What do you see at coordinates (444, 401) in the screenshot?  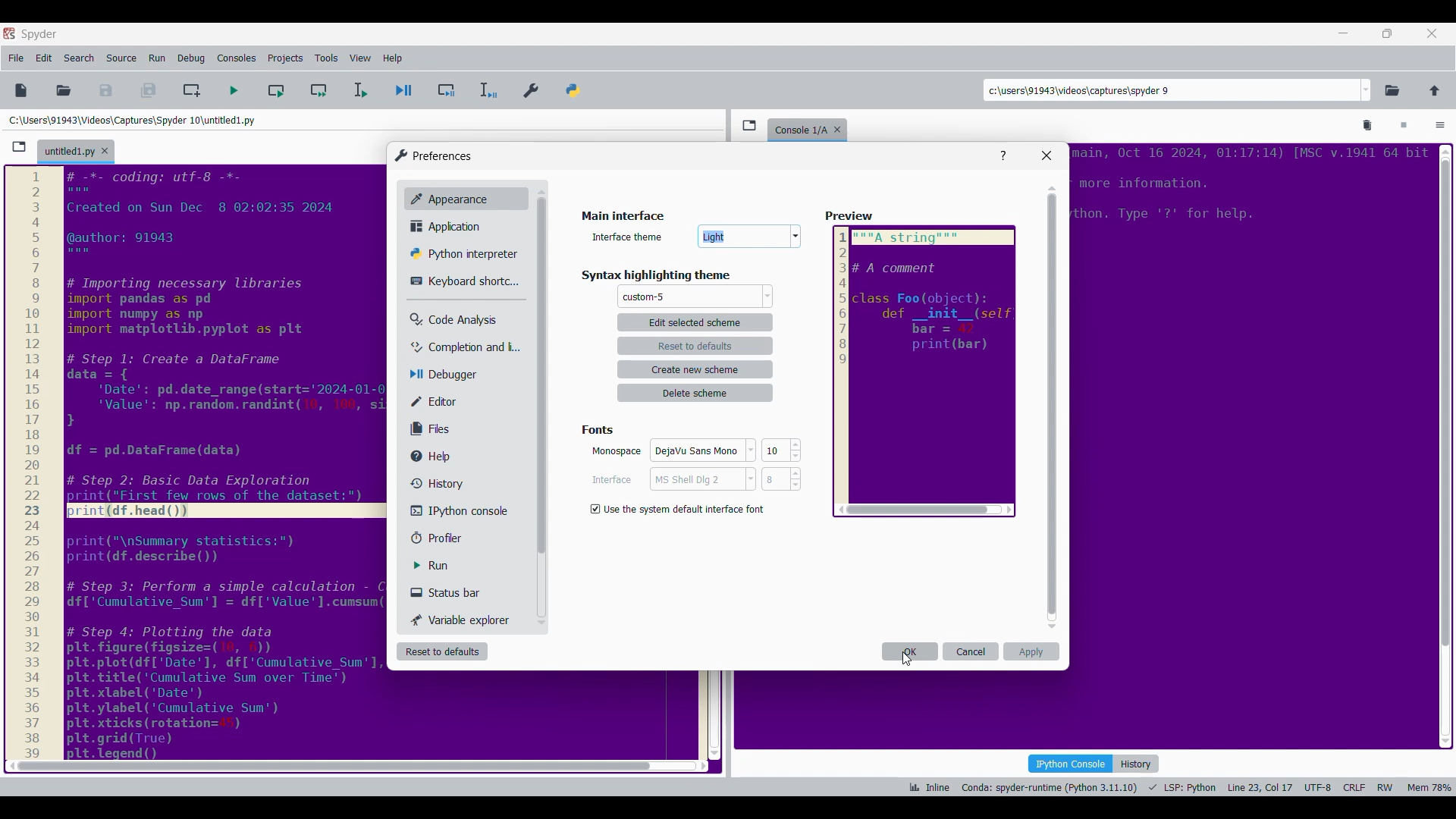 I see `Editor` at bounding box center [444, 401].